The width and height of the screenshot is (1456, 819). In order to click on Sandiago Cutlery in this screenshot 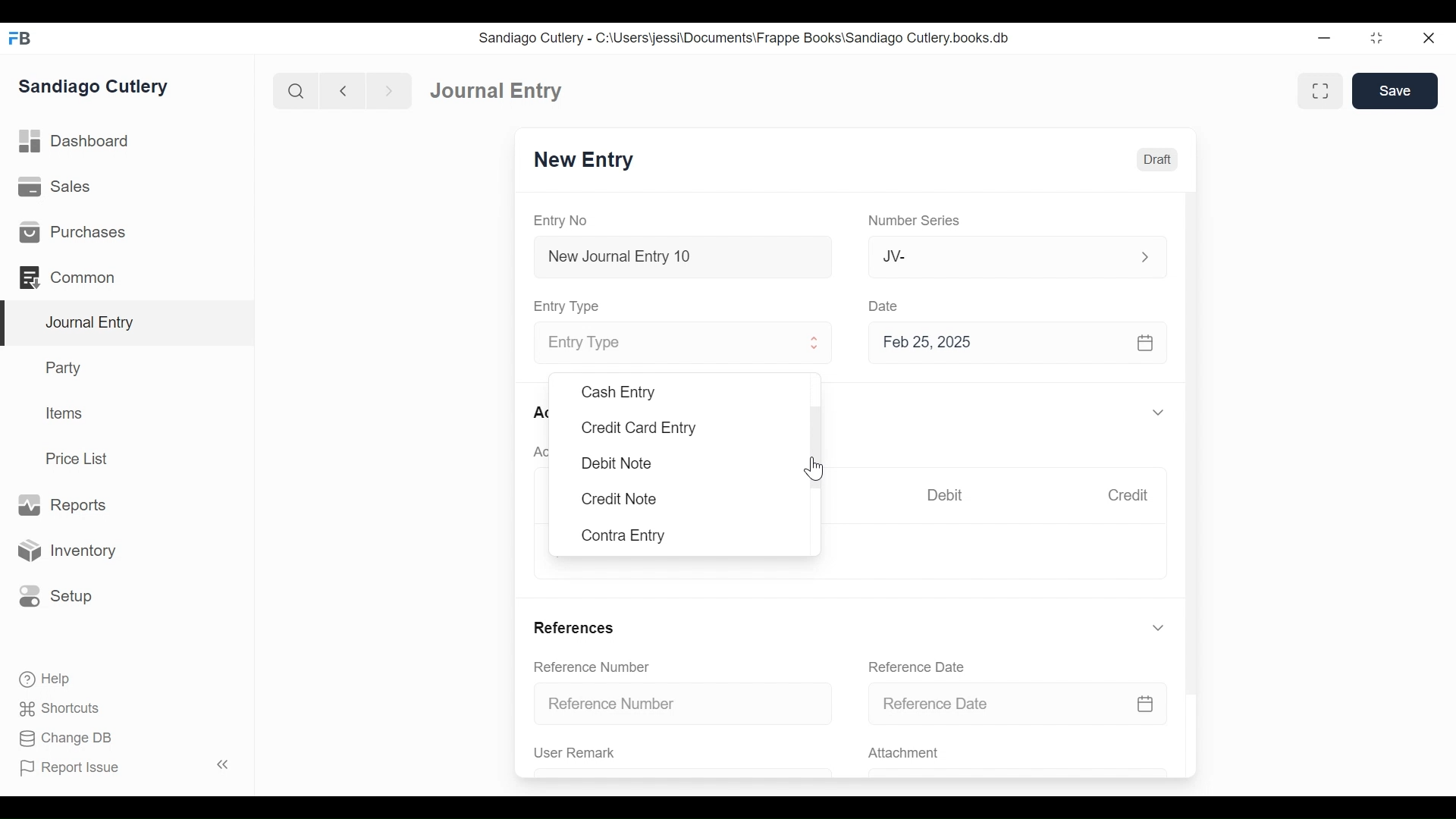, I will do `click(94, 87)`.